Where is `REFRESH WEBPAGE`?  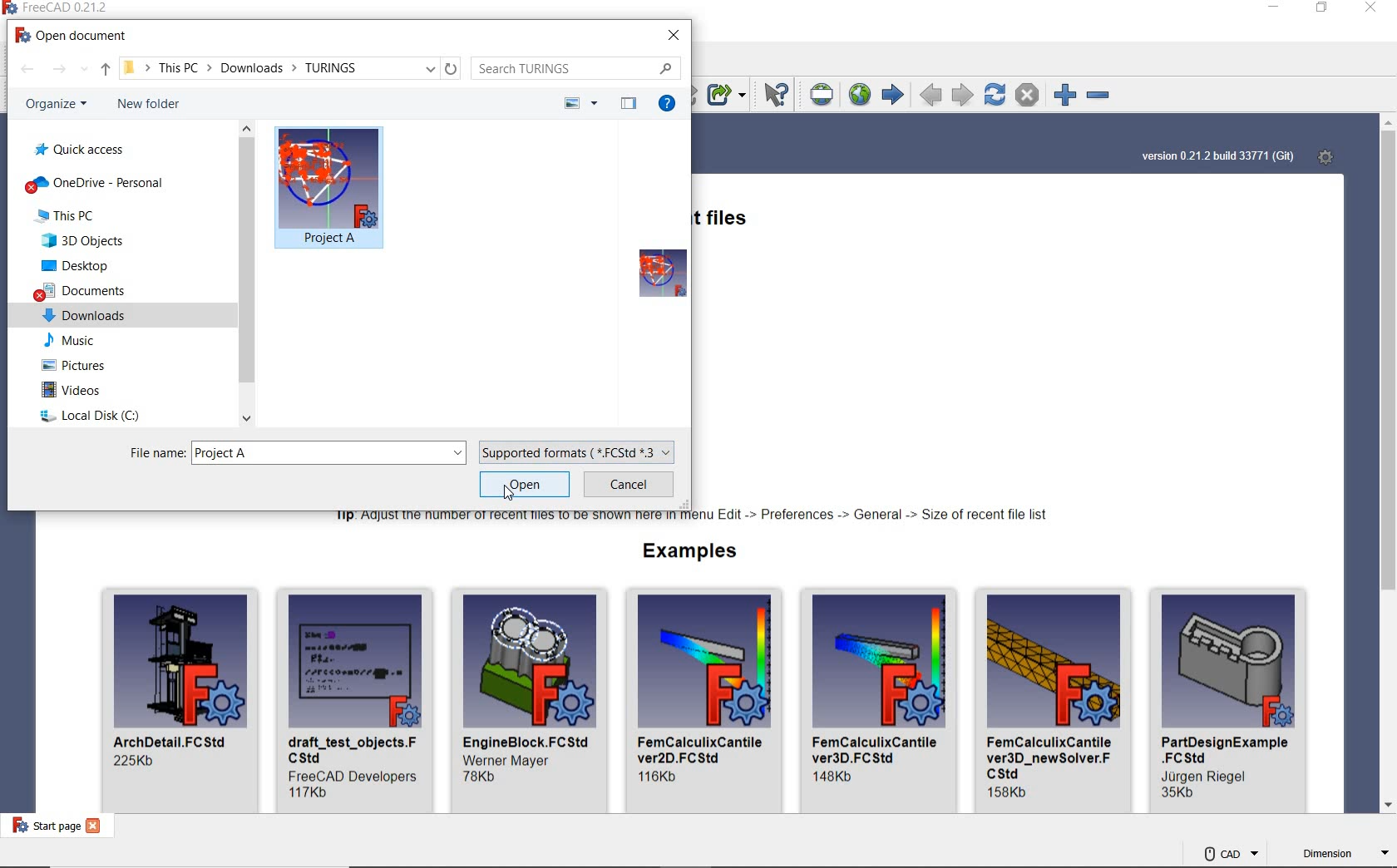 REFRESH WEBPAGE is located at coordinates (994, 93).